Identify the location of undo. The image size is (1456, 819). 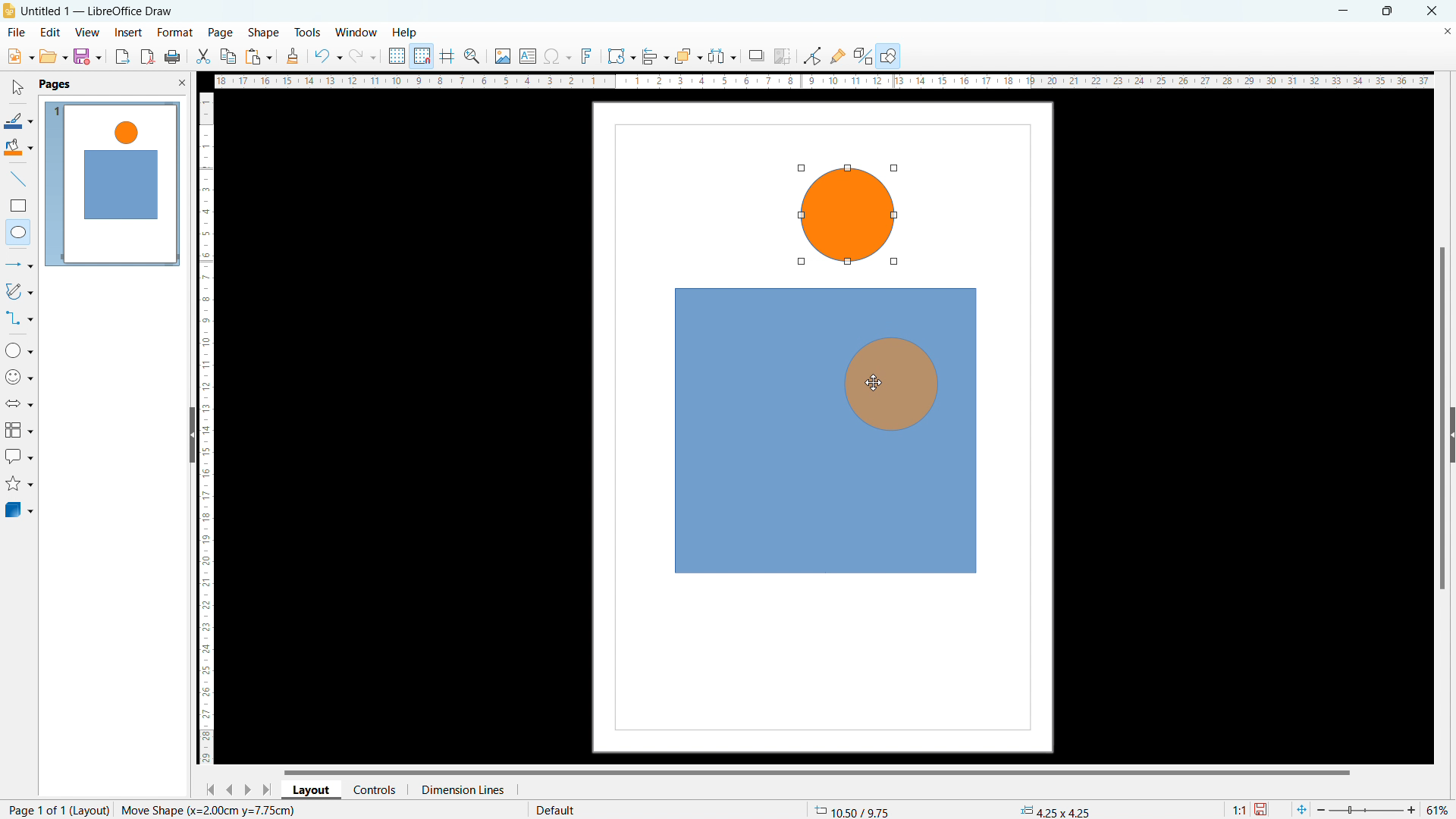
(327, 56).